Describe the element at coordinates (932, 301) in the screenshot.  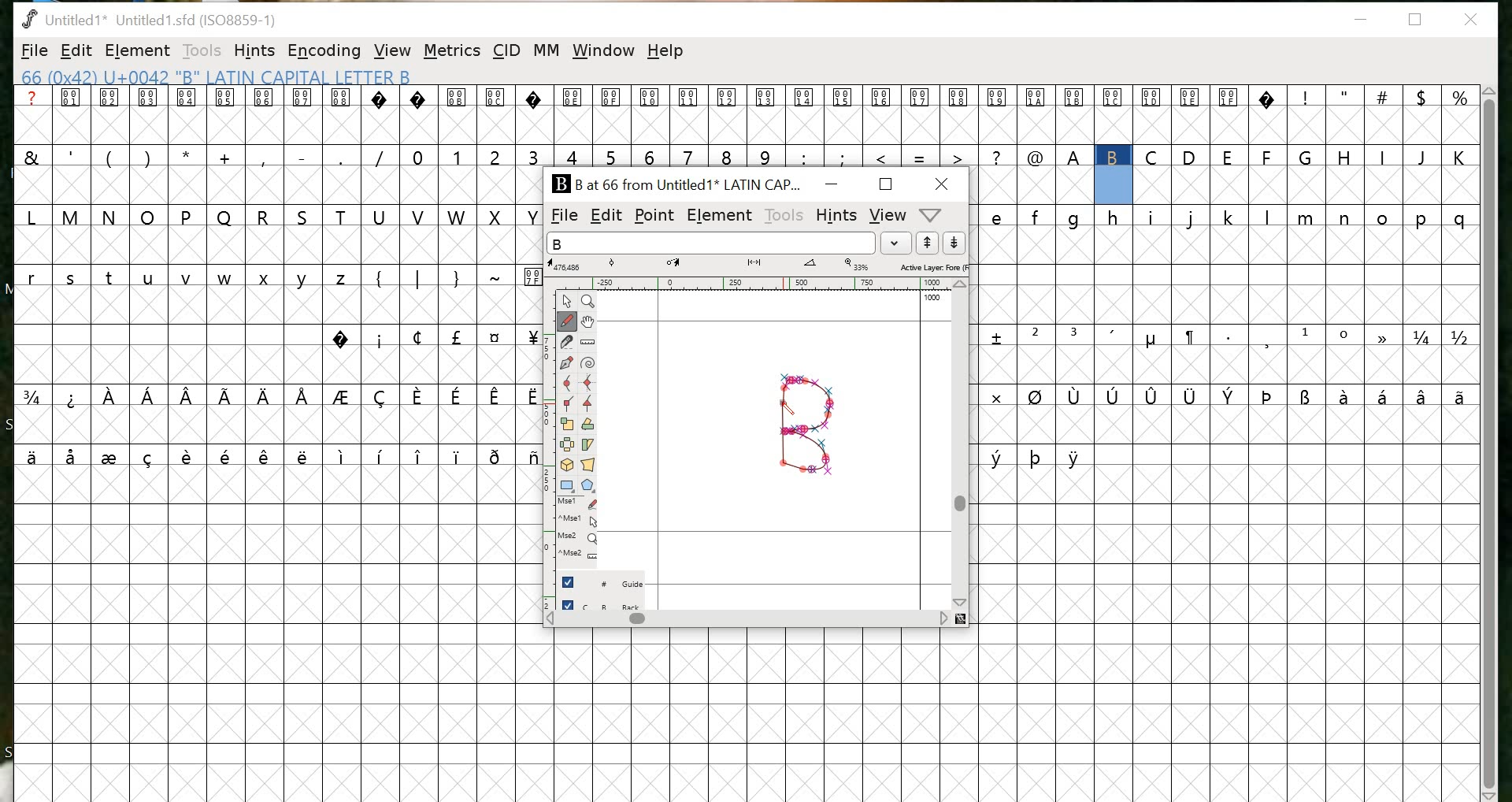
I see `100` at that location.